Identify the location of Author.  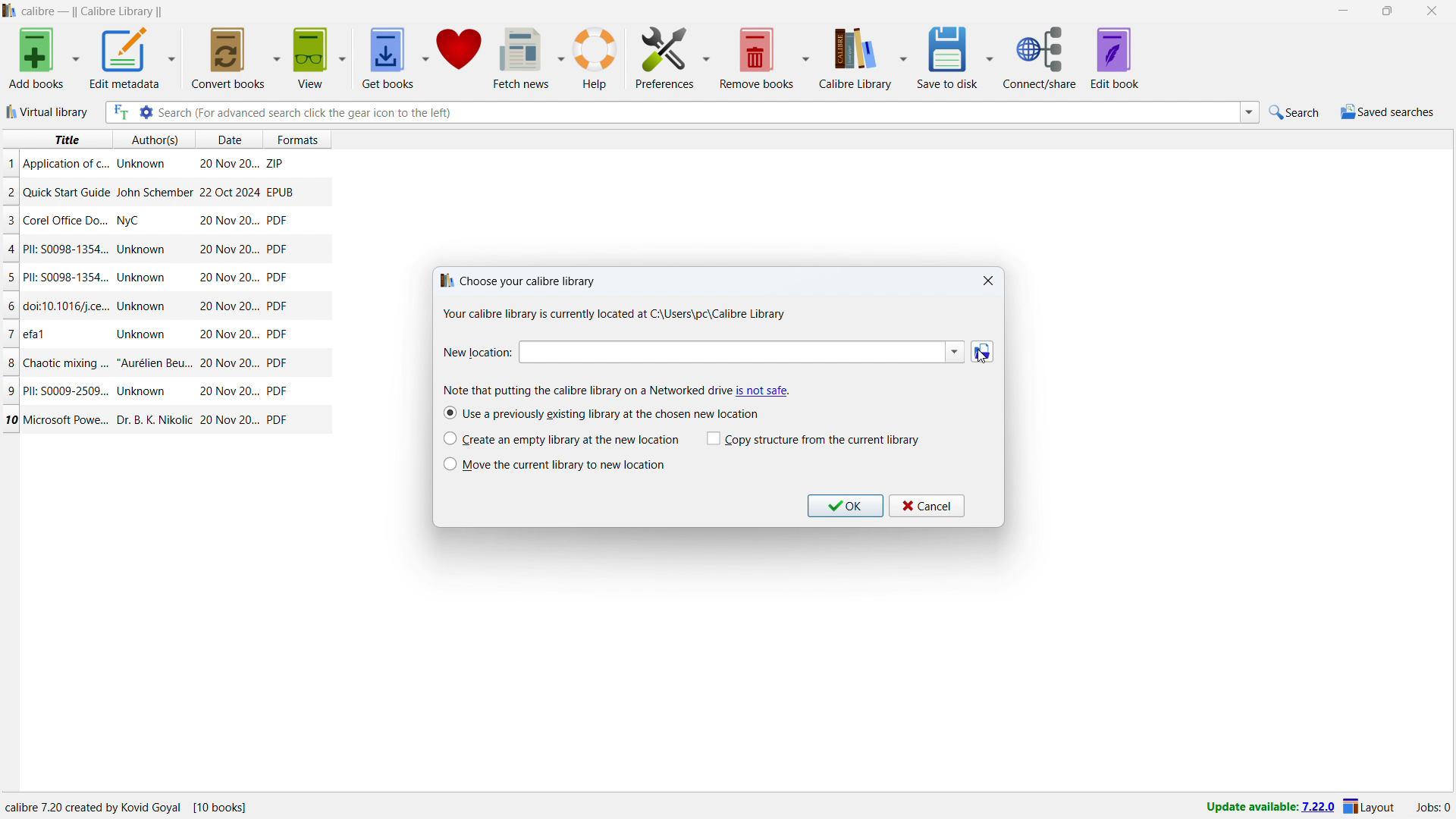
(144, 278).